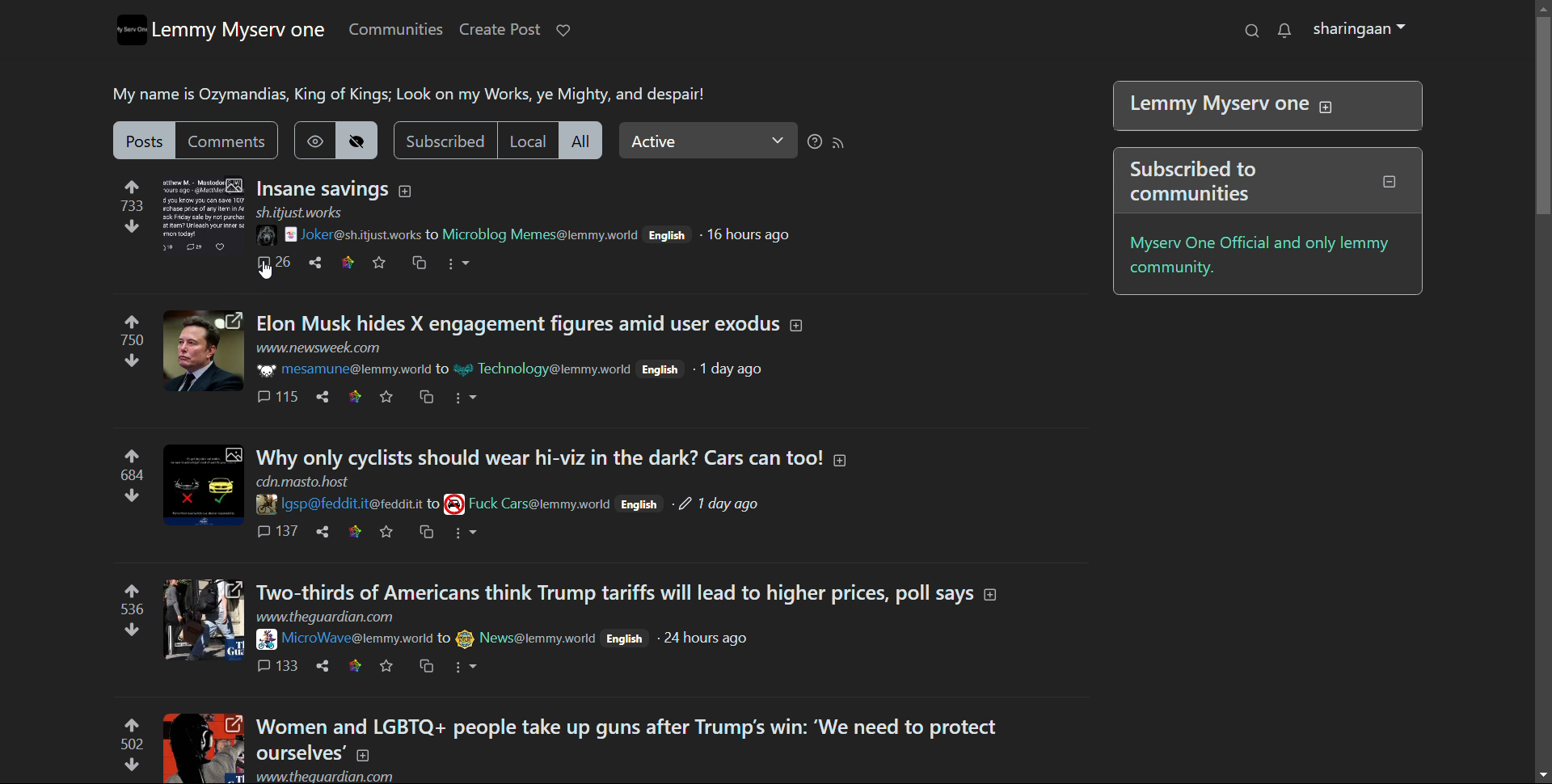 Image resolution: width=1552 pixels, height=784 pixels. I want to click on time of editing, so click(721, 504).